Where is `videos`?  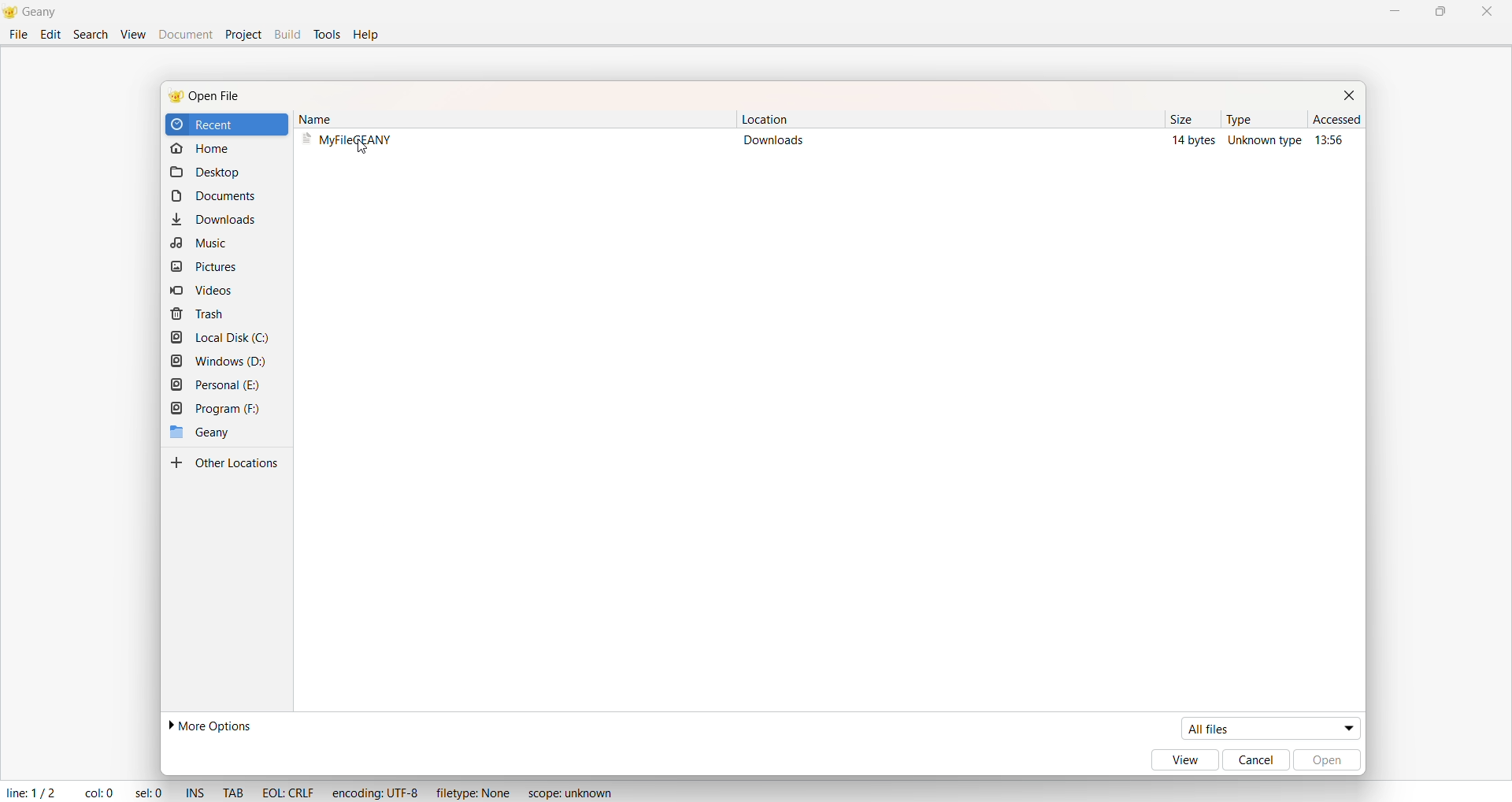 videos is located at coordinates (195, 291).